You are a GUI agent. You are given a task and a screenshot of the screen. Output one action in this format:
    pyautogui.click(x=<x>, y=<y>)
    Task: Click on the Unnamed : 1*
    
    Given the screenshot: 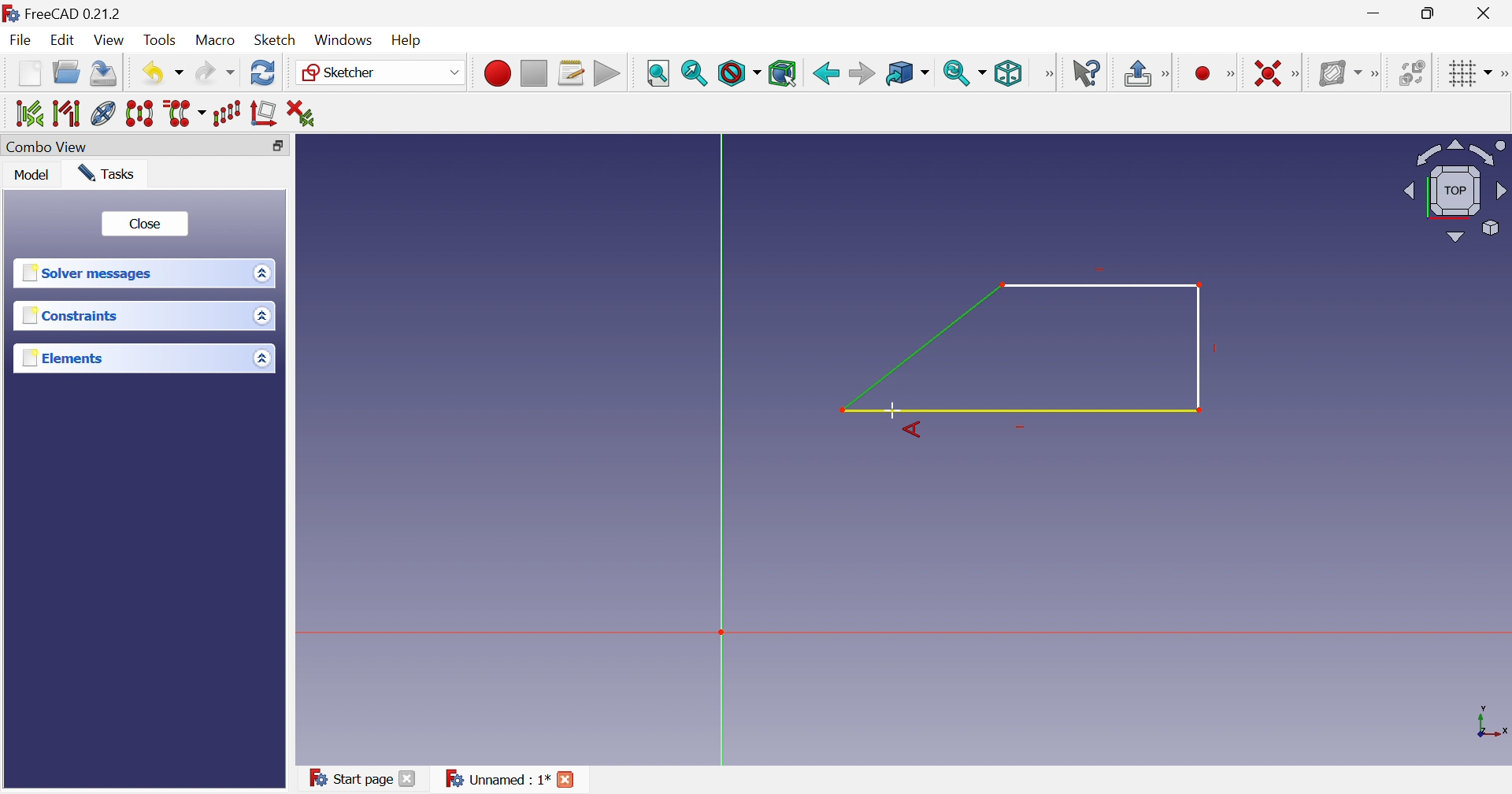 What is the action you would take?
    pyautogui.click(x=497, y=780)
    